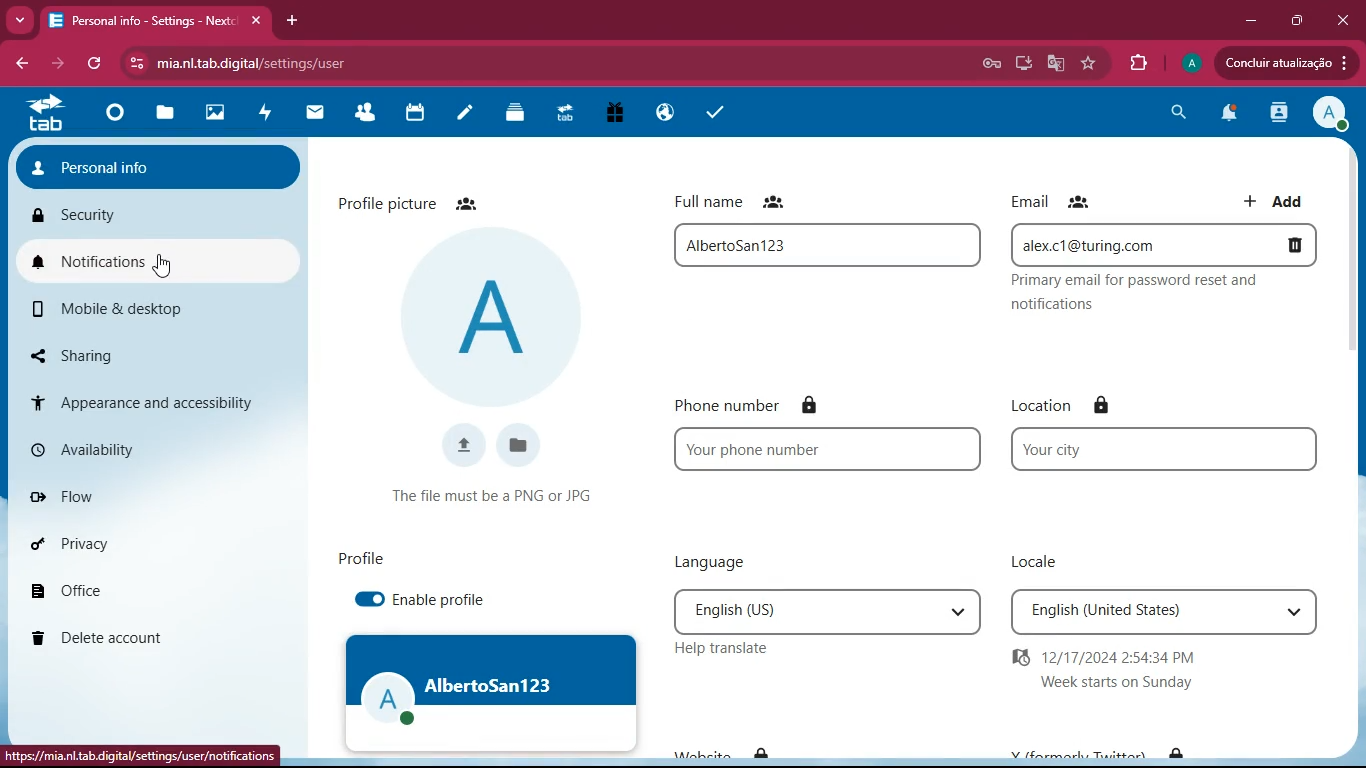 Image resolution: width=1366 pixels, height=768 pixels. I want to click on notes, so click(462, 115).